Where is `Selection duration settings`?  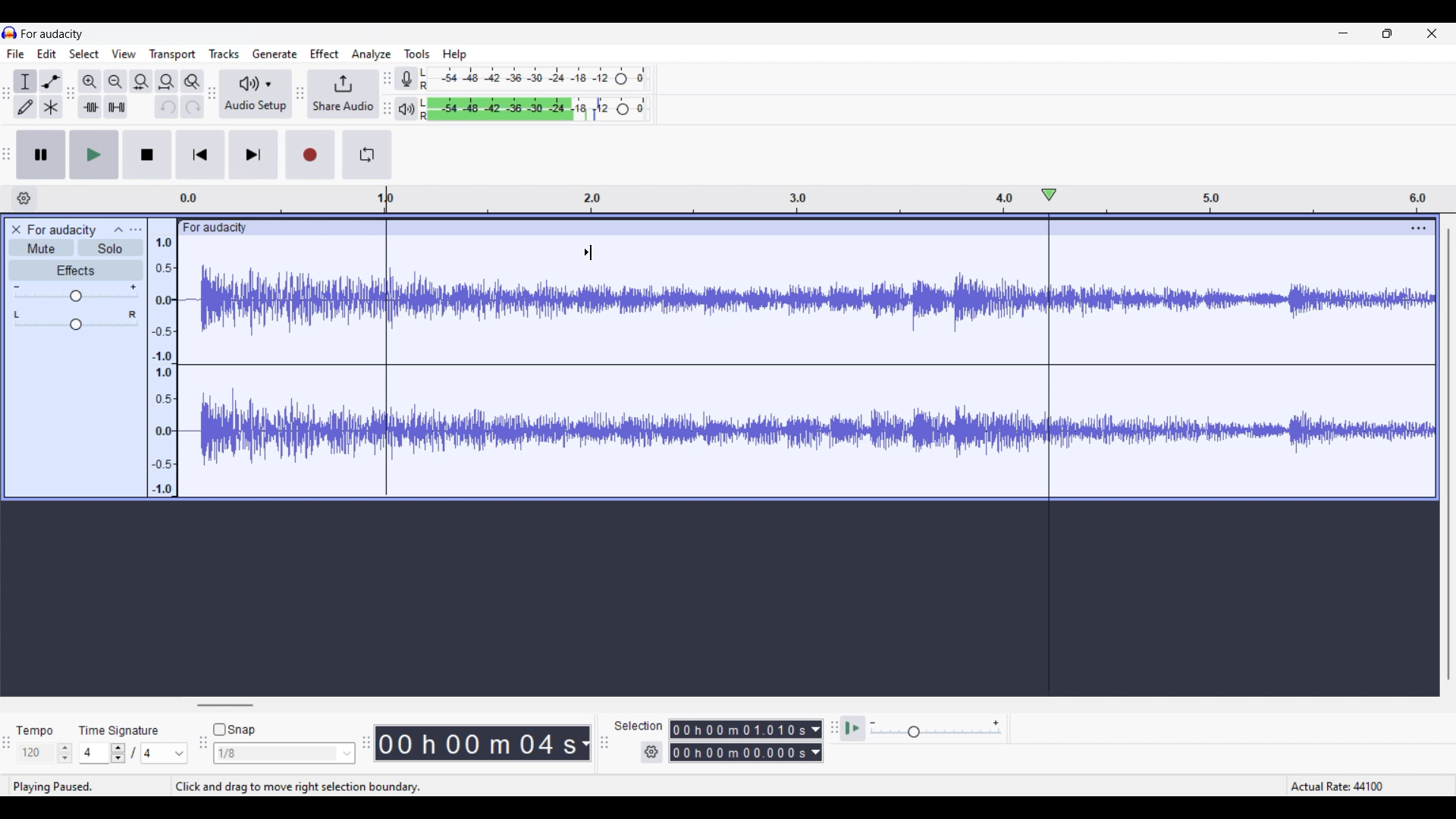 Selection duration settings is located at coordinates (651, 752).